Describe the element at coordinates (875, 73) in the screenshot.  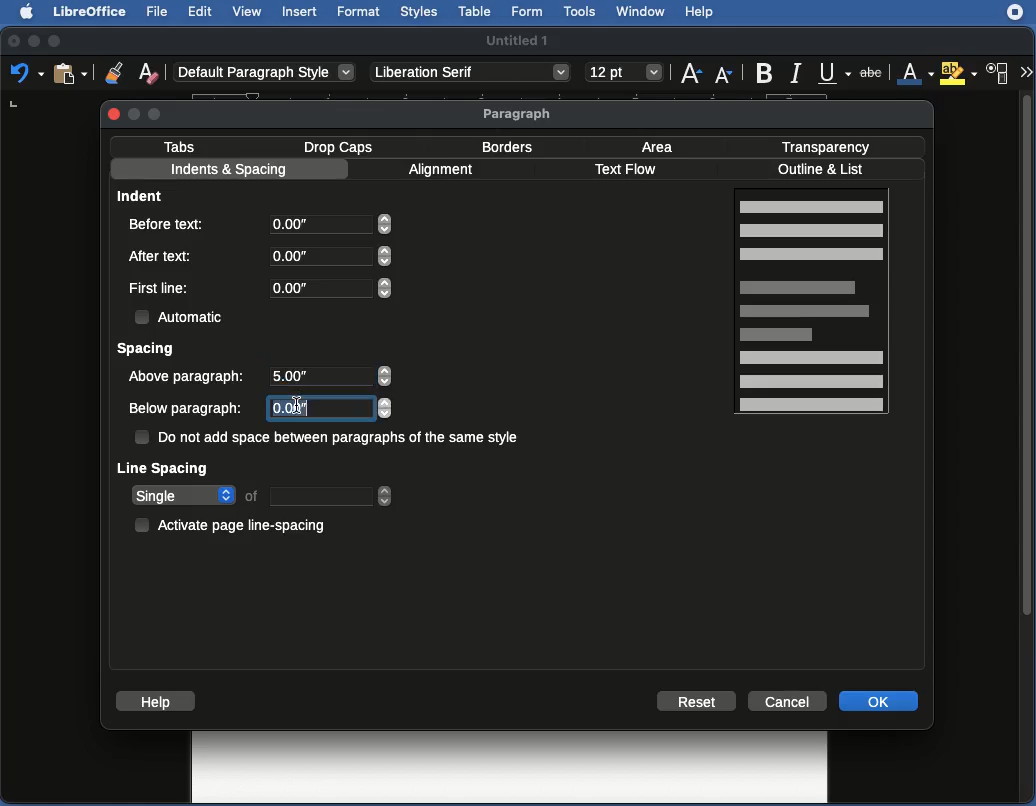
I see `Strikethrough` at that location.